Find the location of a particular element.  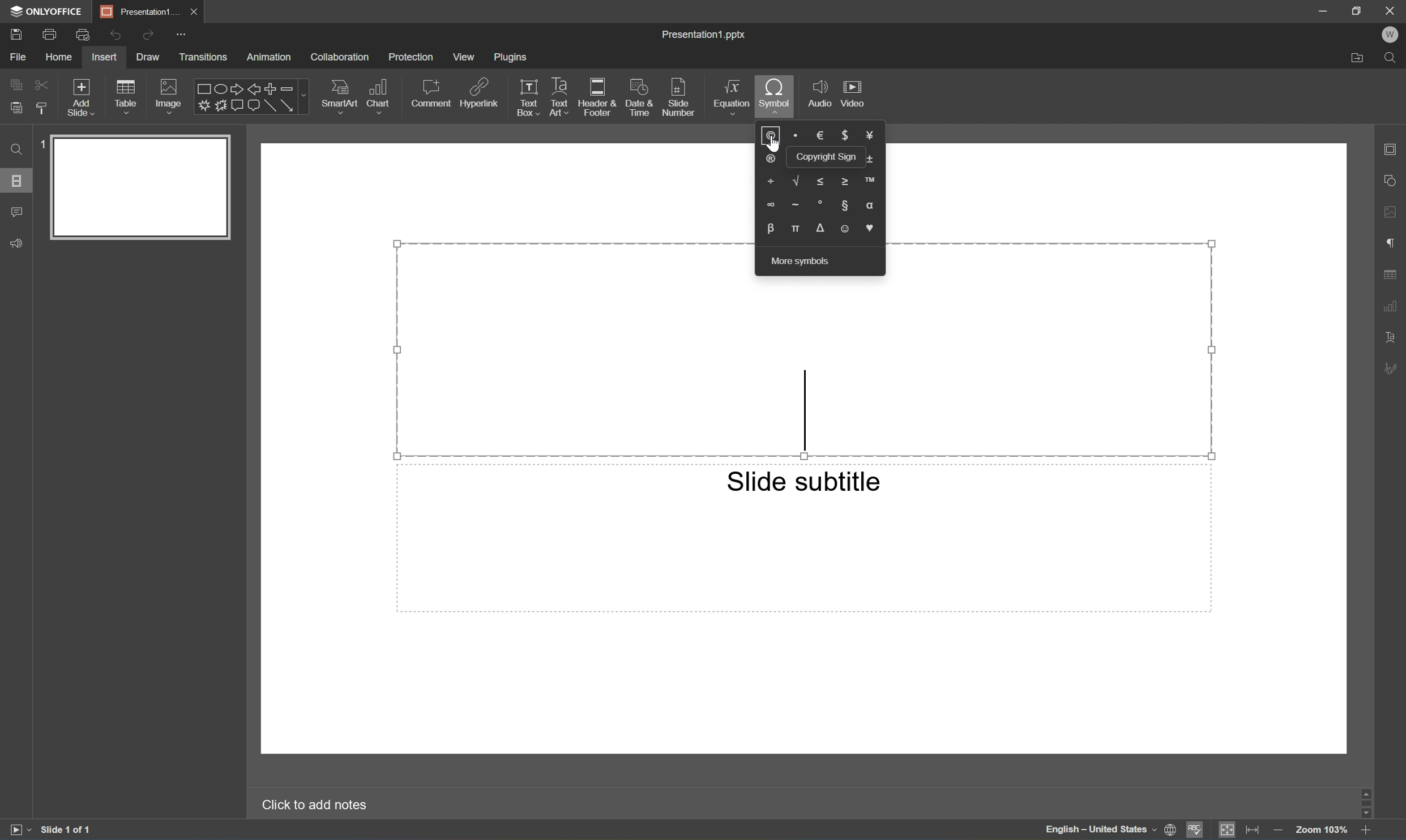

Zoom 103% is located at coordinates (1323, 832).